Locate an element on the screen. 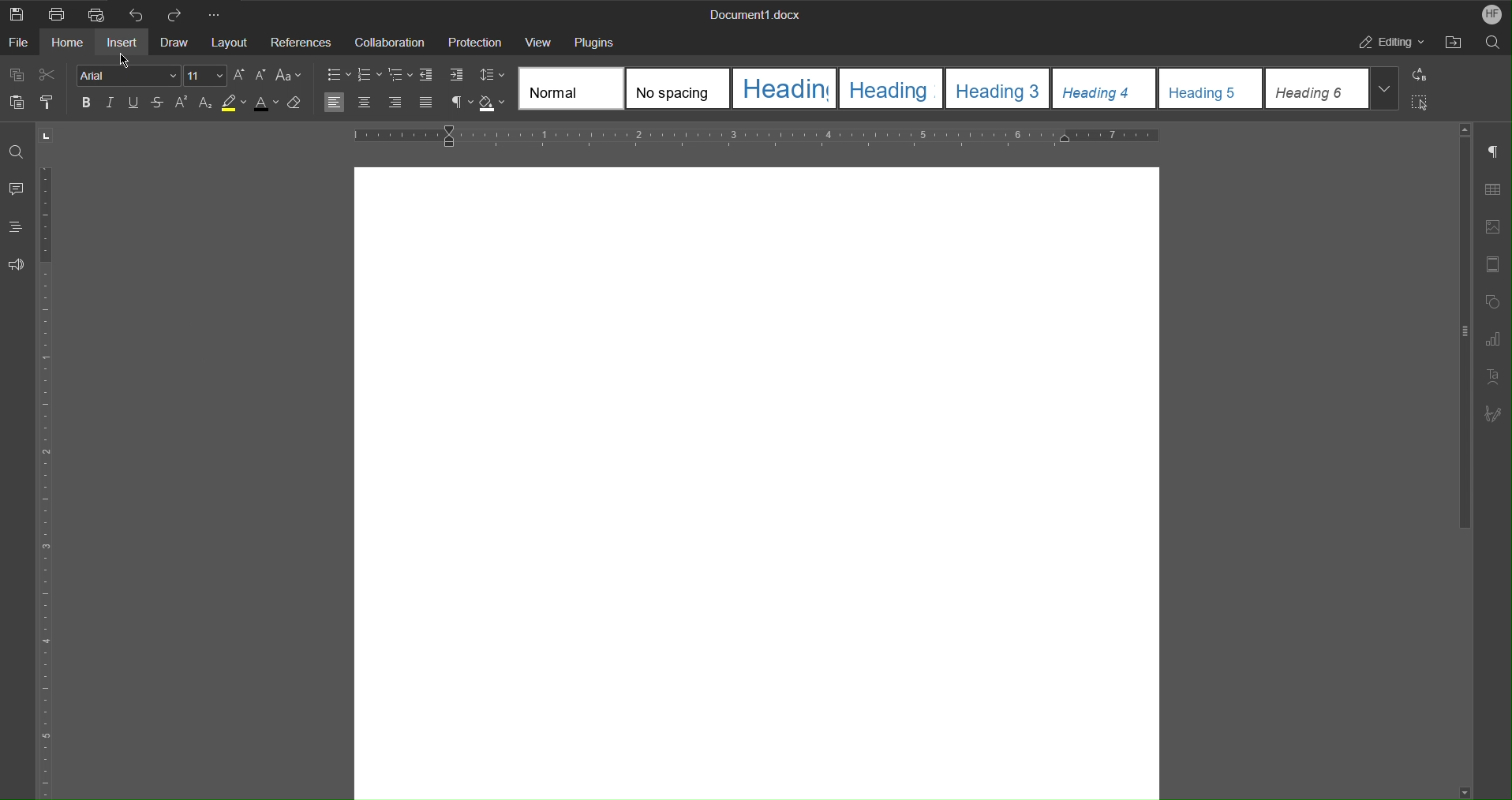  Protection is located at coordinates (478, 41).